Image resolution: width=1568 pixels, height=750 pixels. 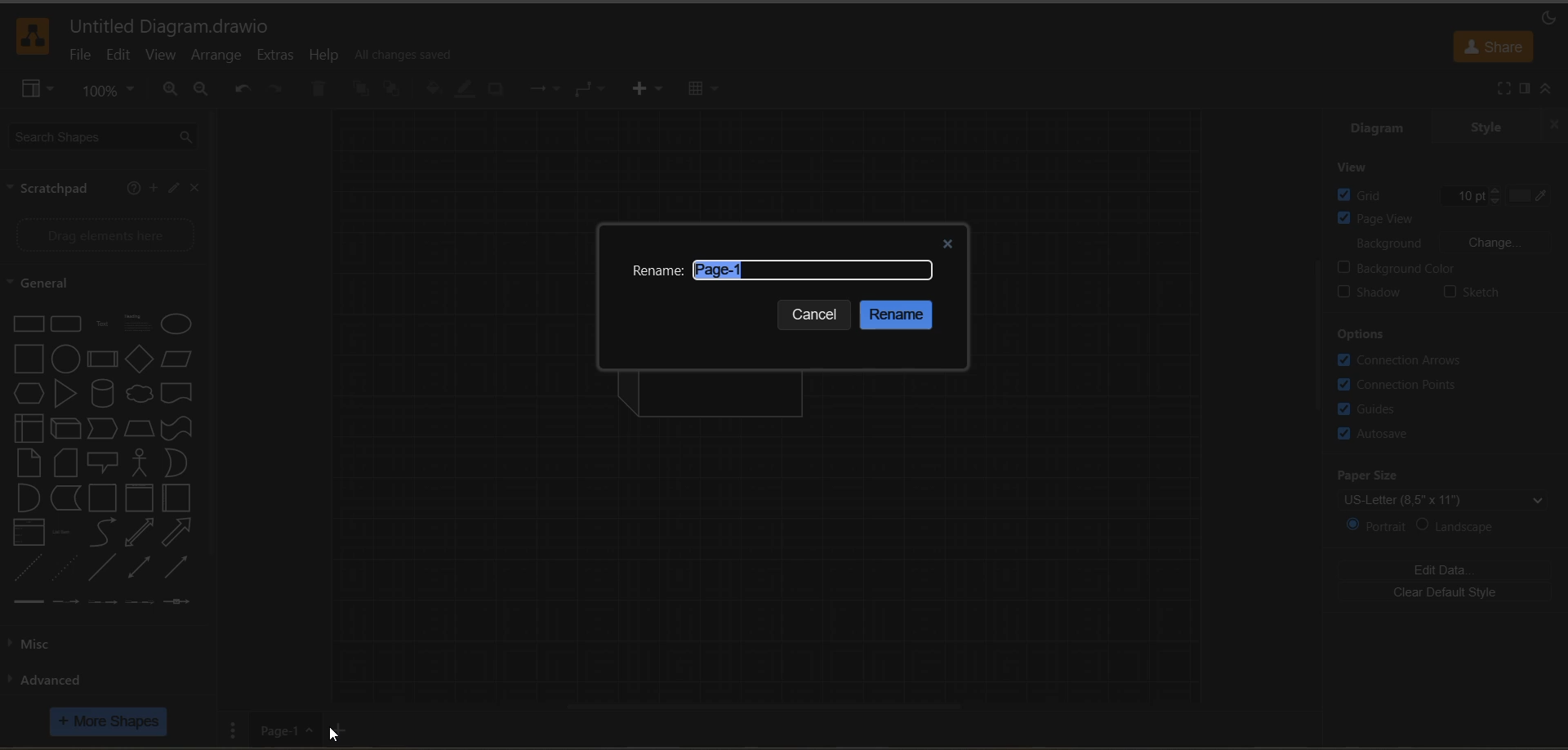 I want to click on text box, so click(x=813, y=270).